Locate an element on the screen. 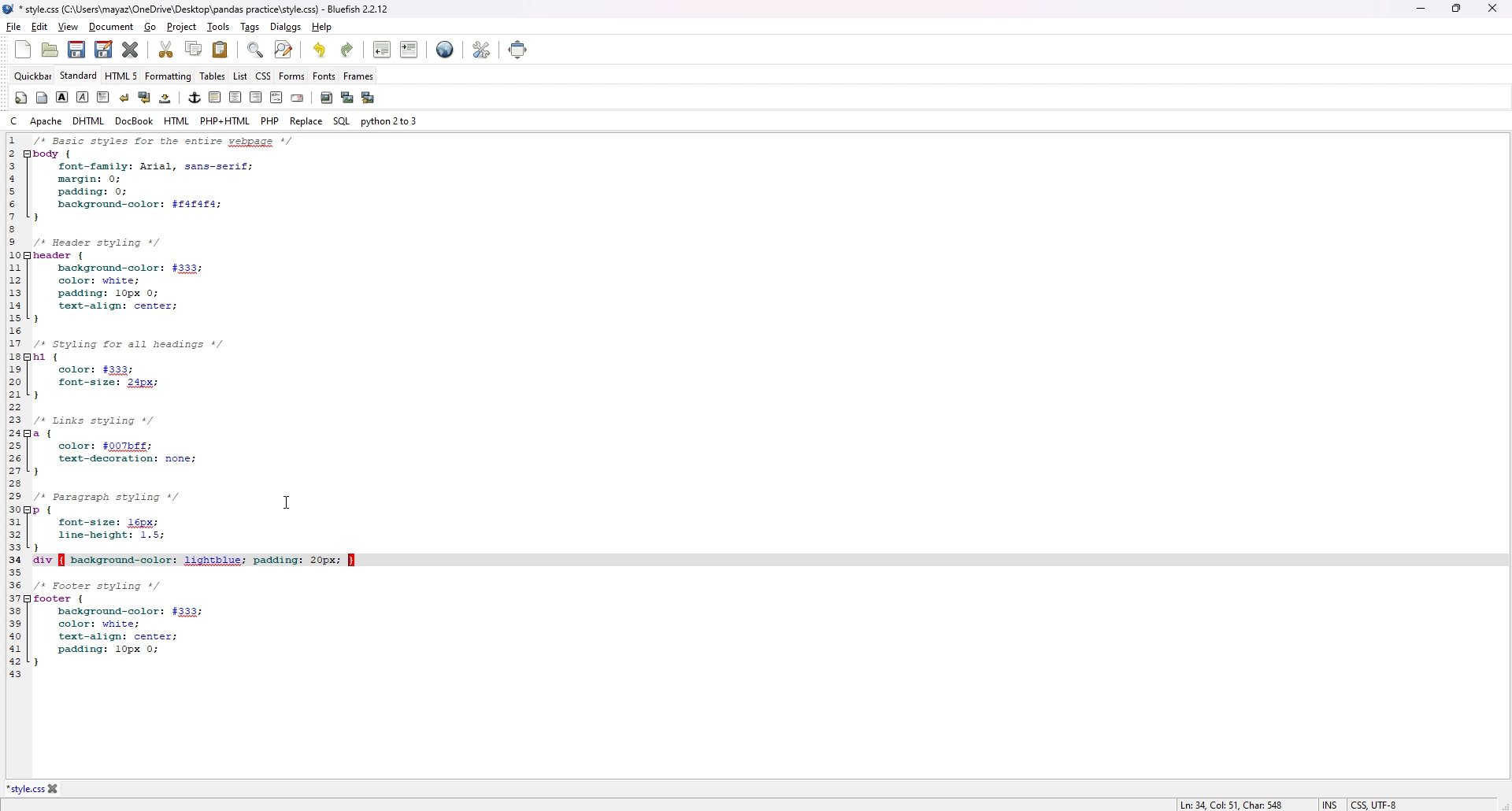 The height and width of the screenshot is (811, 1512). sql is located at coordinates (341, 120).